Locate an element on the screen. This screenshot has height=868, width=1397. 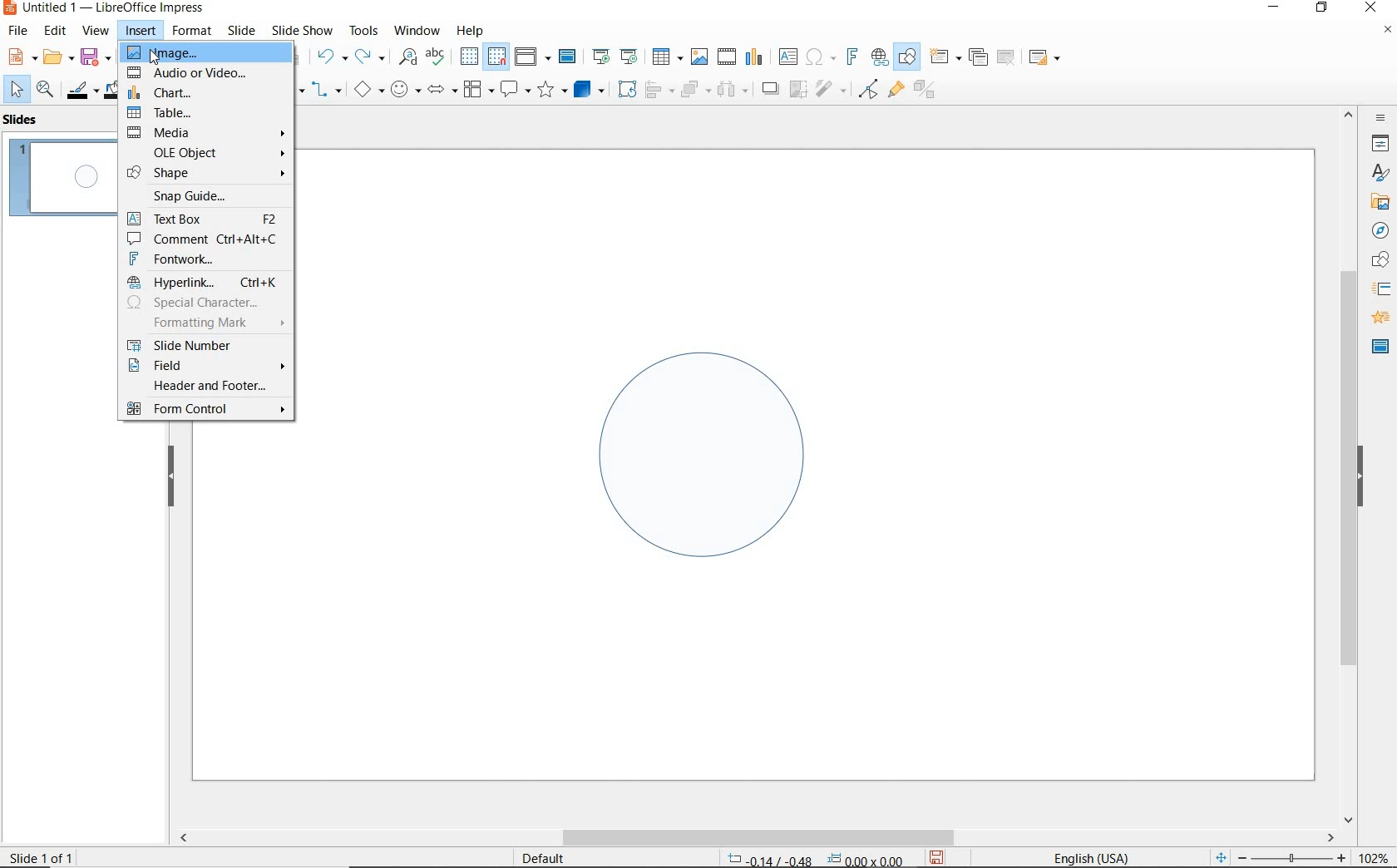
crop image is located at coordinates (797, 87).